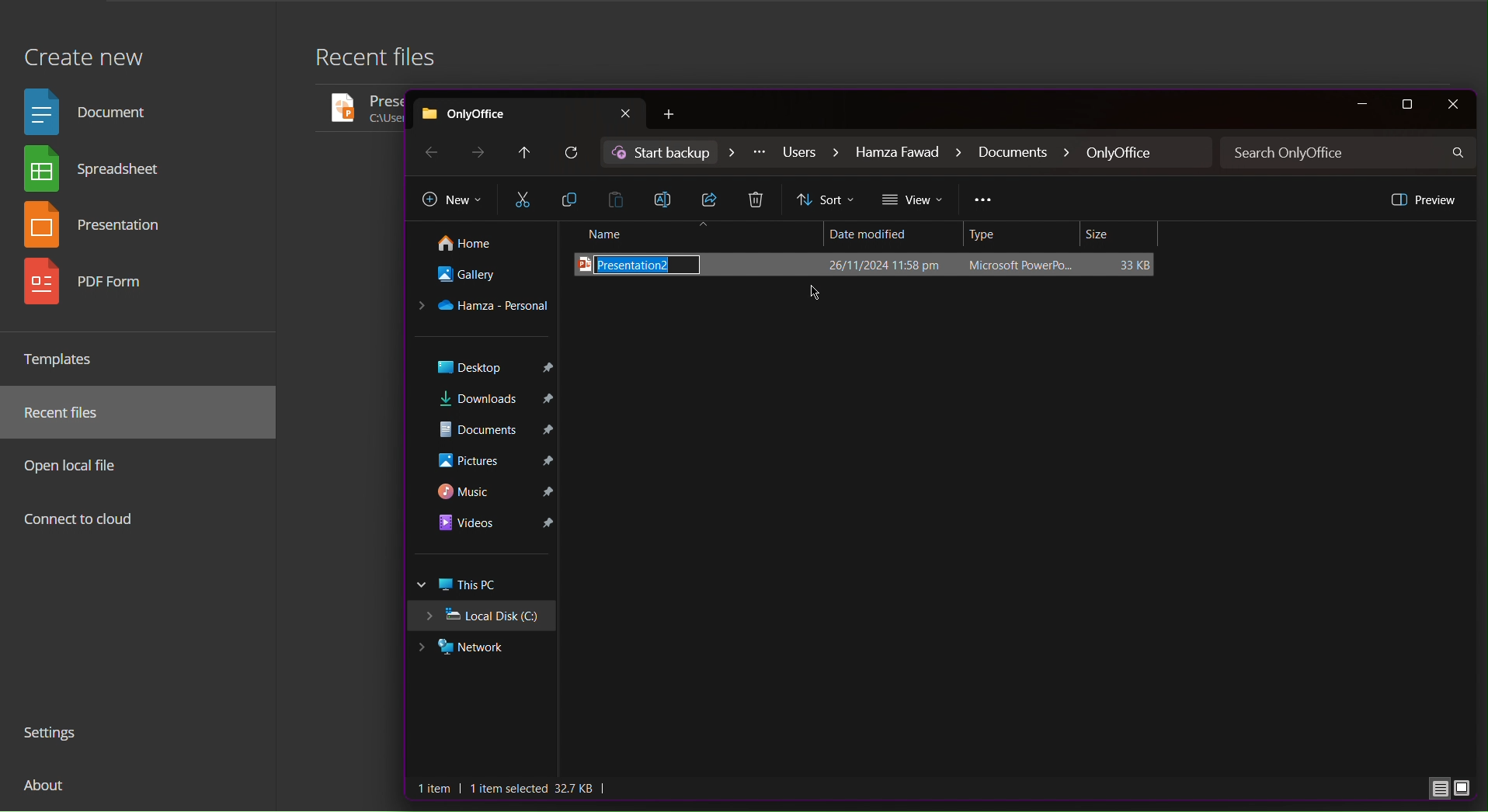  I want to click on View, so click(914, 200).